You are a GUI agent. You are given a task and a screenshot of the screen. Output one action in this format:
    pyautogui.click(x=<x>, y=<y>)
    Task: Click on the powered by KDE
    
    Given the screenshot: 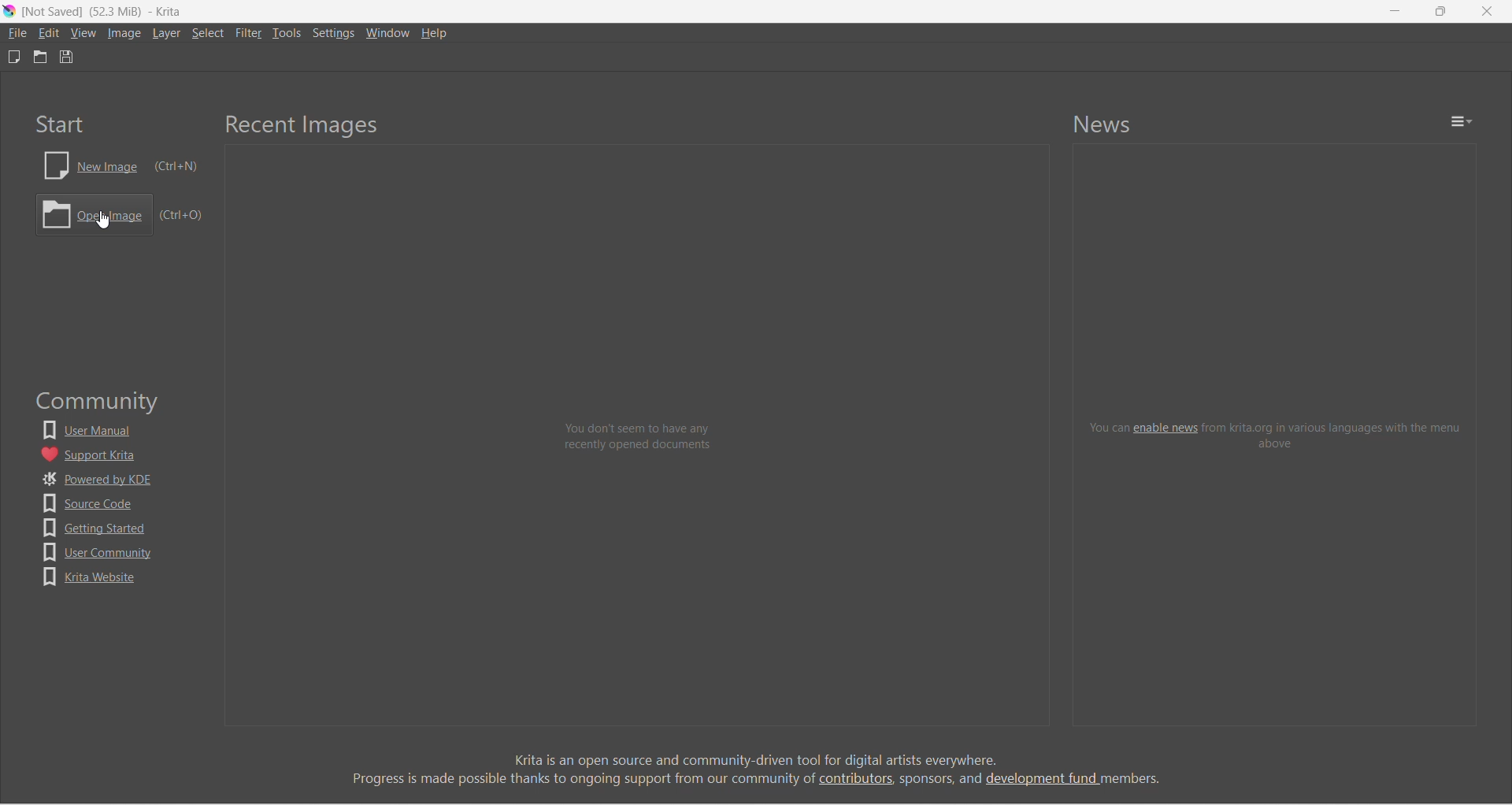 What is the action you would take?
    pyautogui.click(x=99, y=480)
    